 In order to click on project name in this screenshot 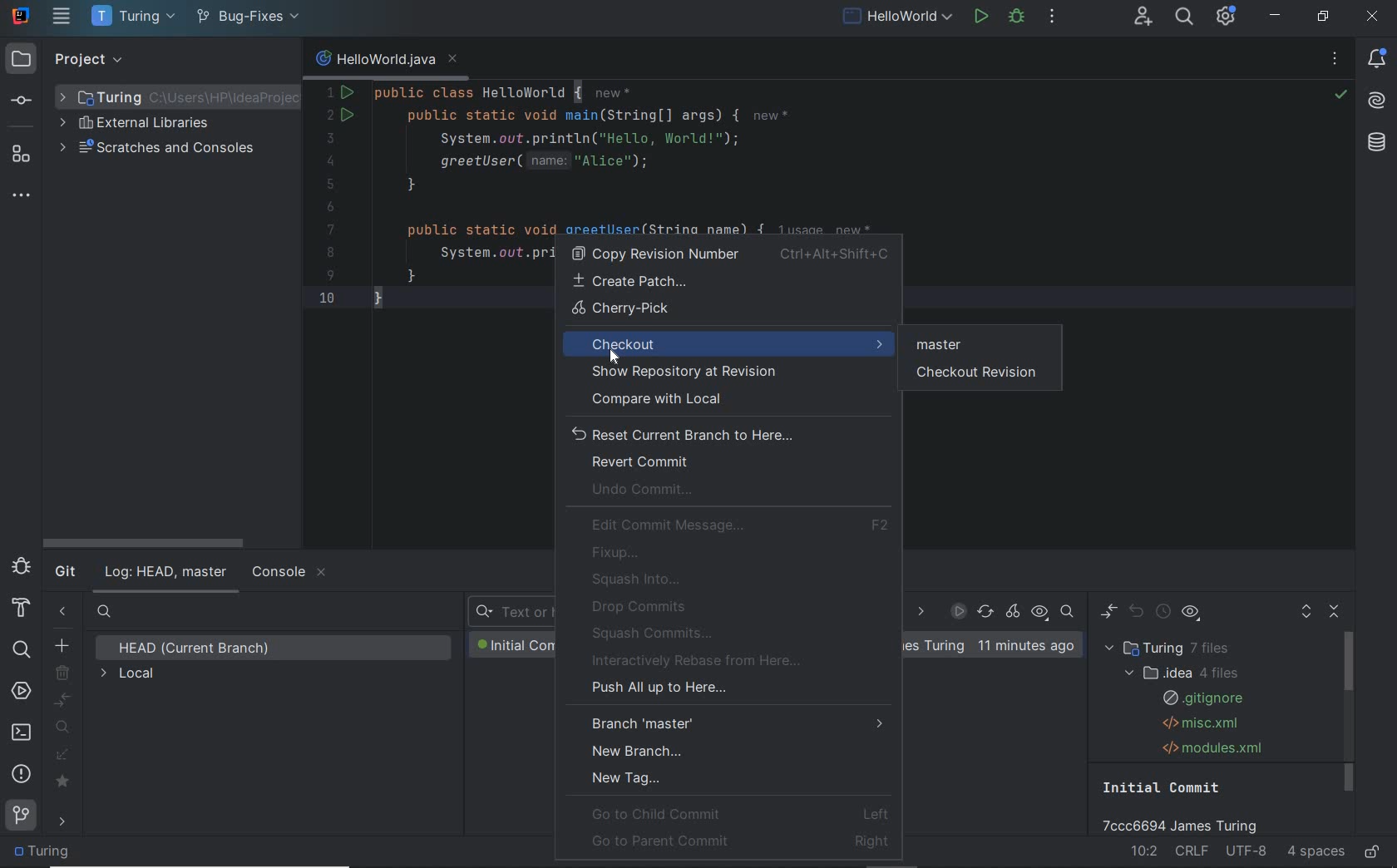, I will do `click(131, 17)`.